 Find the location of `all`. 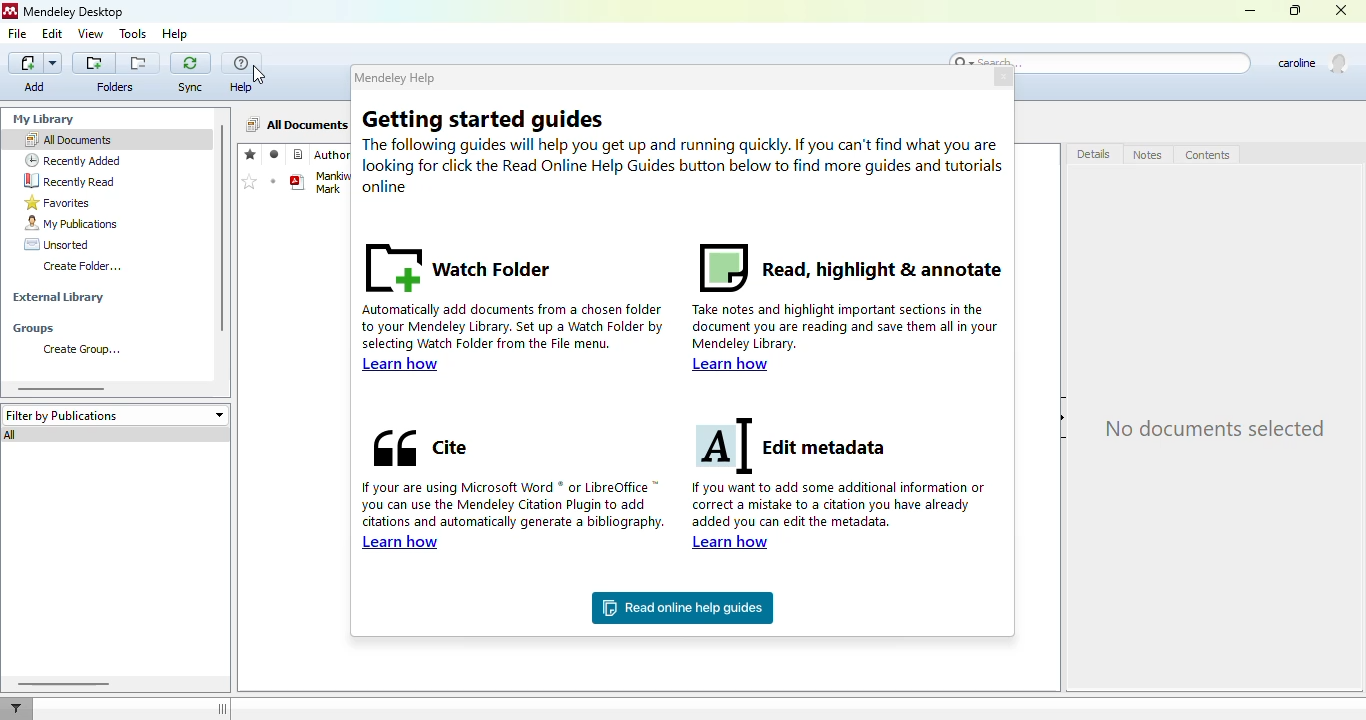

all is located at coordinates (10, 435).